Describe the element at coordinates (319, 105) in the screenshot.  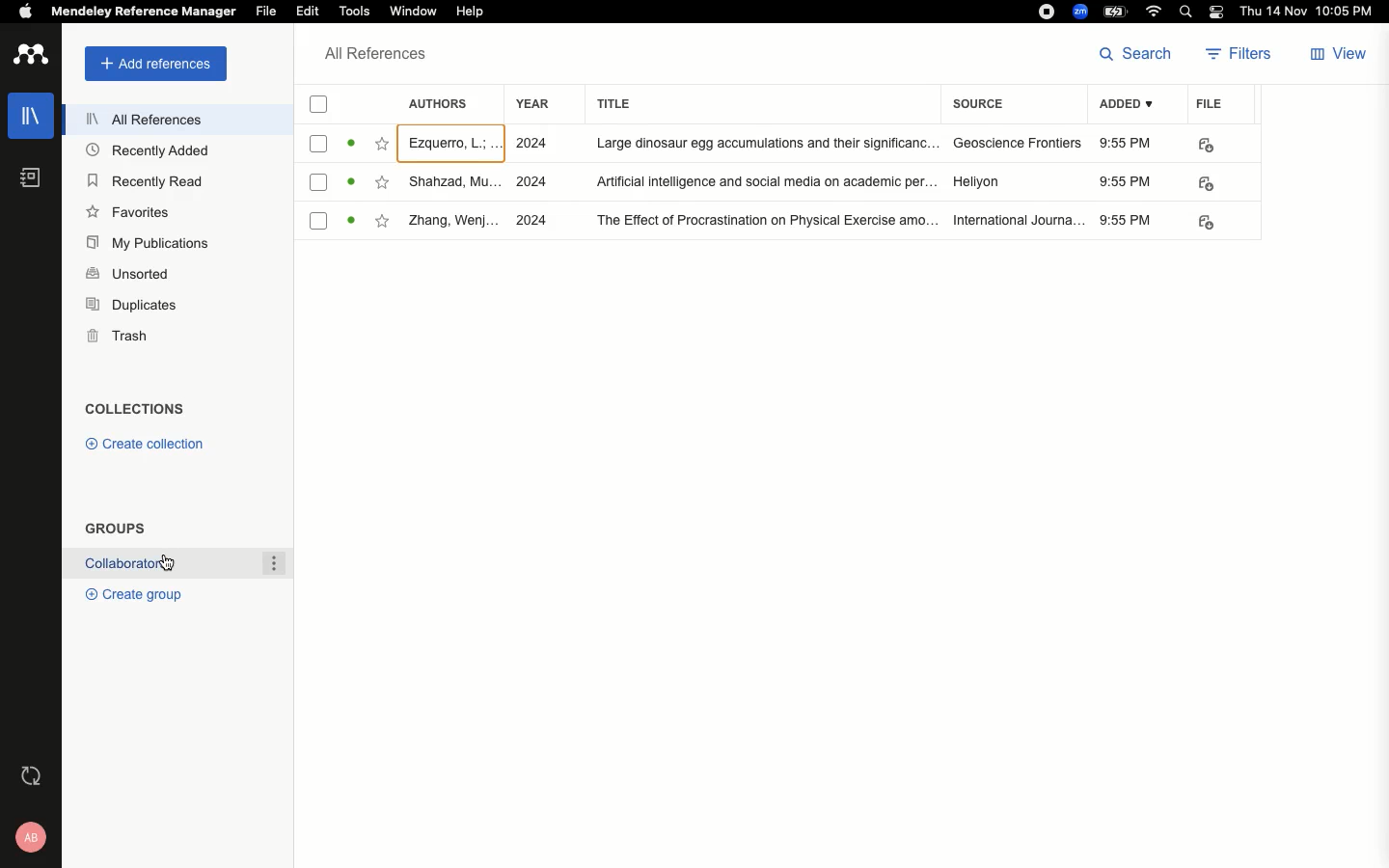
I see `Checkbox` at that location.